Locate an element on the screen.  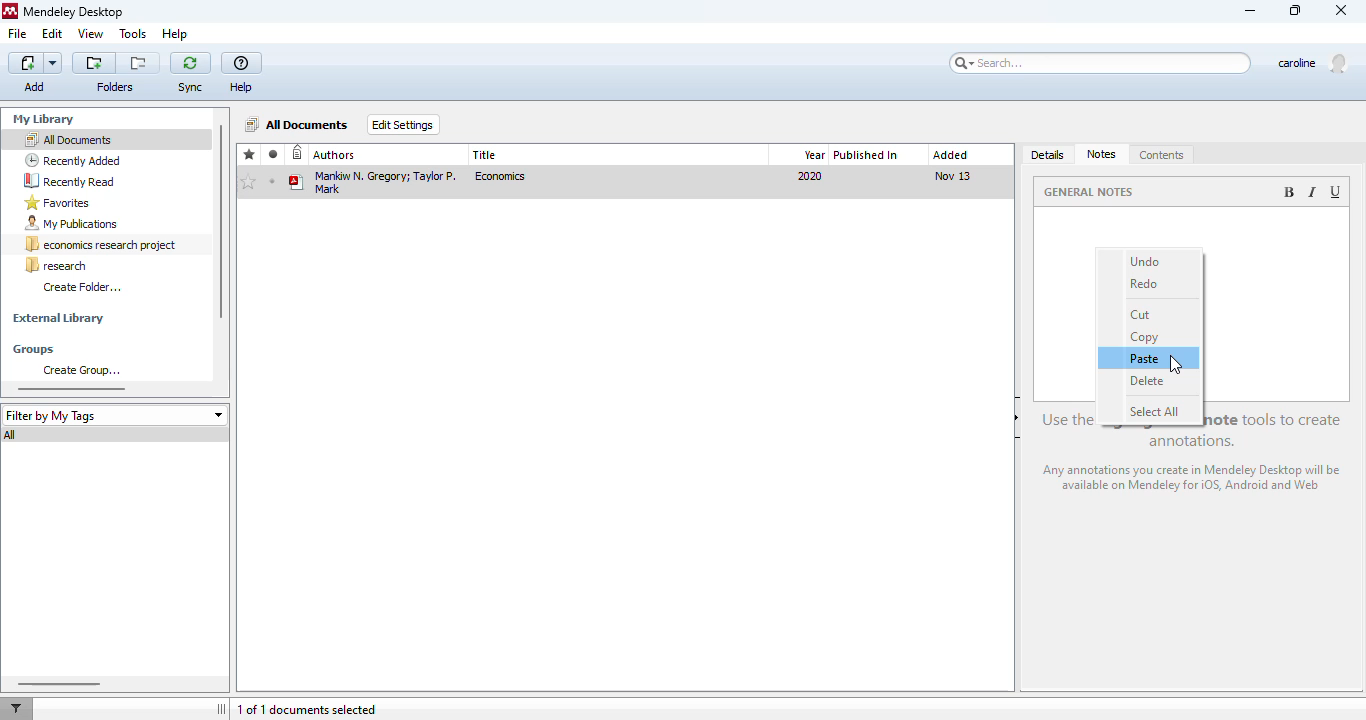
create folder is located at coordinates (82, 286).